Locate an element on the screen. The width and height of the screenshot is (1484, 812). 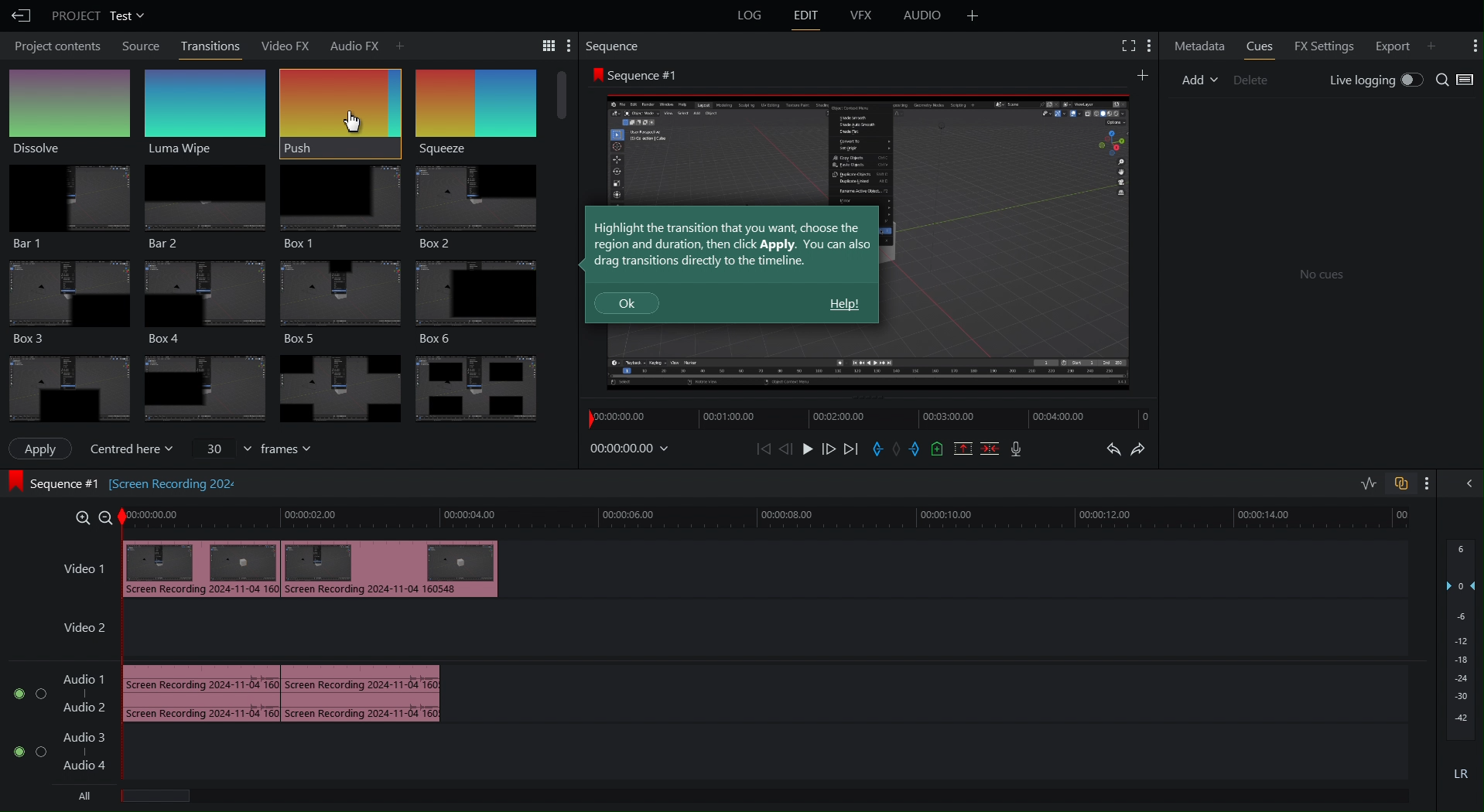
Preview is located at coordinates (1008, 241).